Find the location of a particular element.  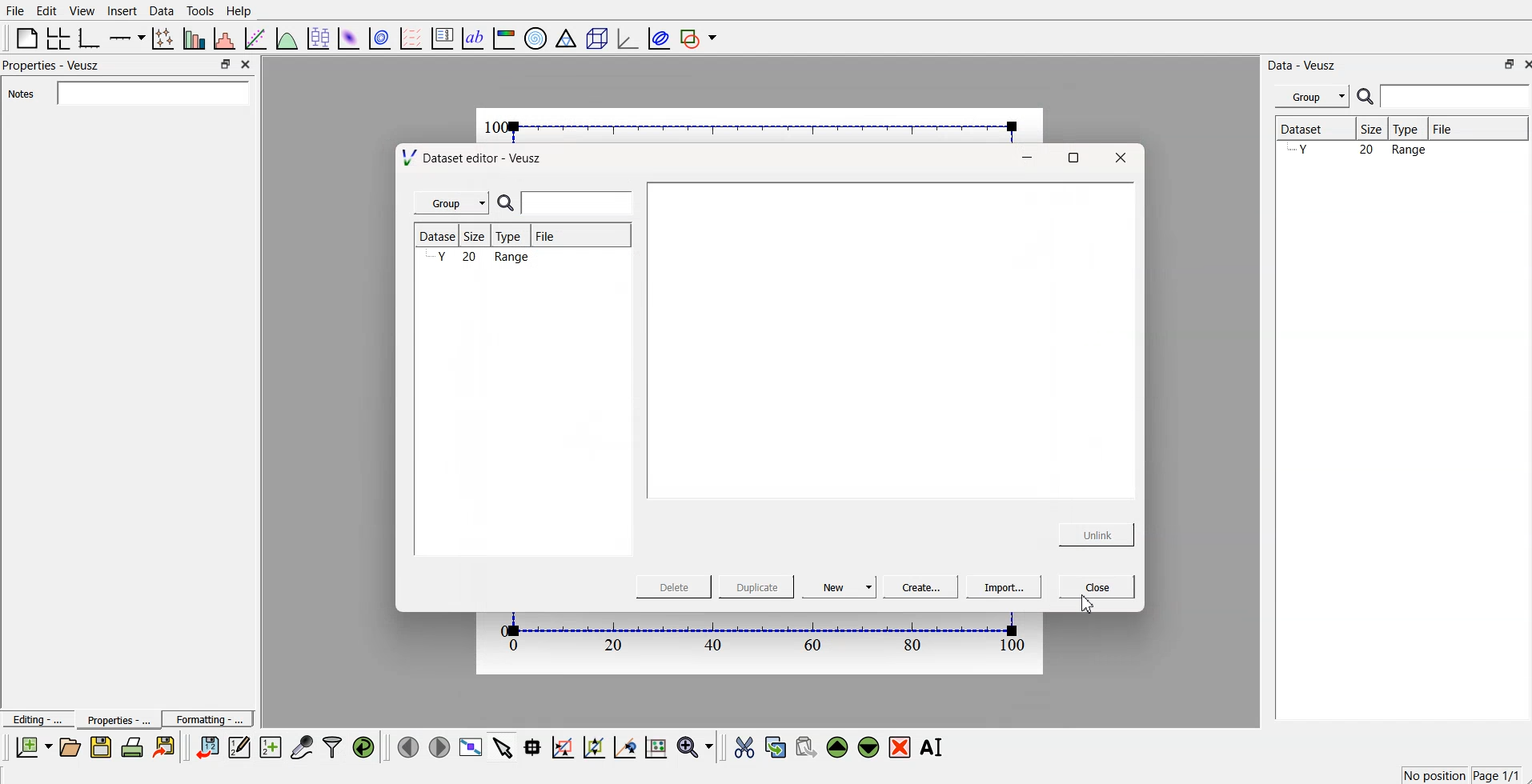

Capture remote data is located at coordinates (303, 746).